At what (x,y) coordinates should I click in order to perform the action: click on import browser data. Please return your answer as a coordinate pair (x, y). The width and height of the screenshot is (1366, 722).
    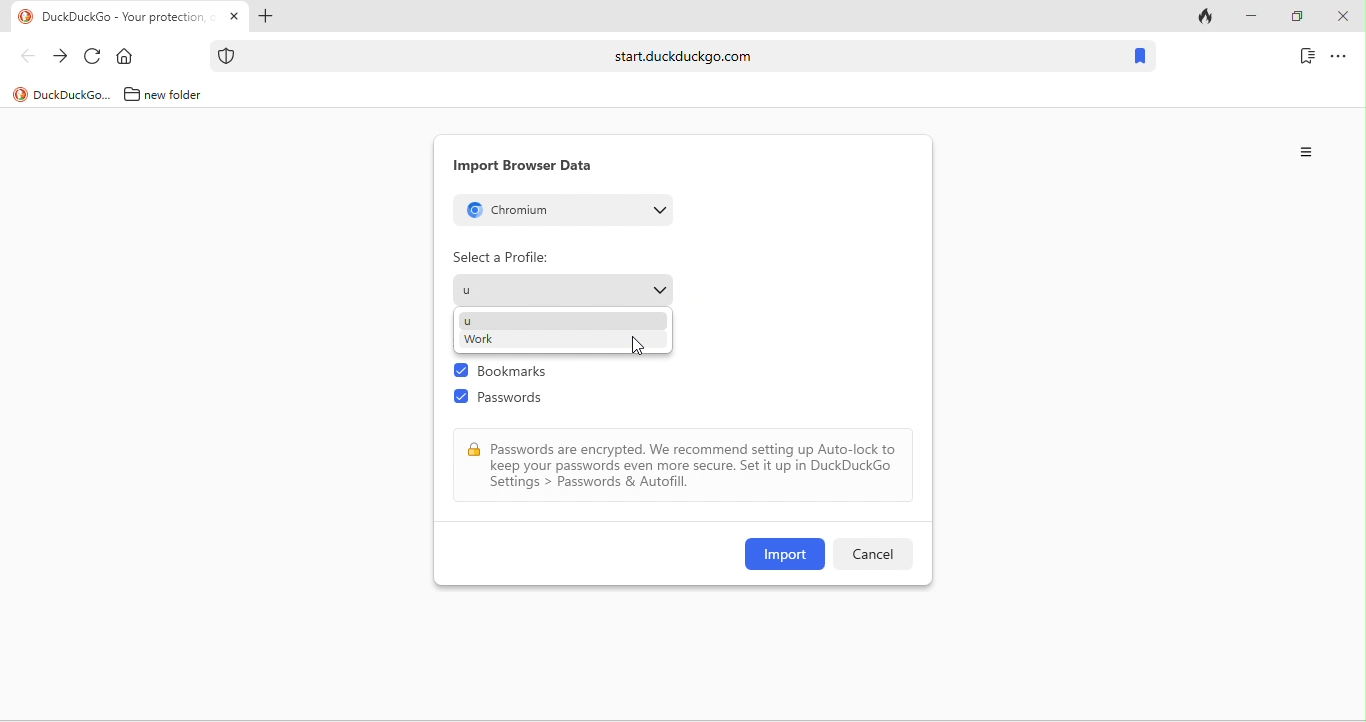
    Looking at the image, I should click on (523, 165).